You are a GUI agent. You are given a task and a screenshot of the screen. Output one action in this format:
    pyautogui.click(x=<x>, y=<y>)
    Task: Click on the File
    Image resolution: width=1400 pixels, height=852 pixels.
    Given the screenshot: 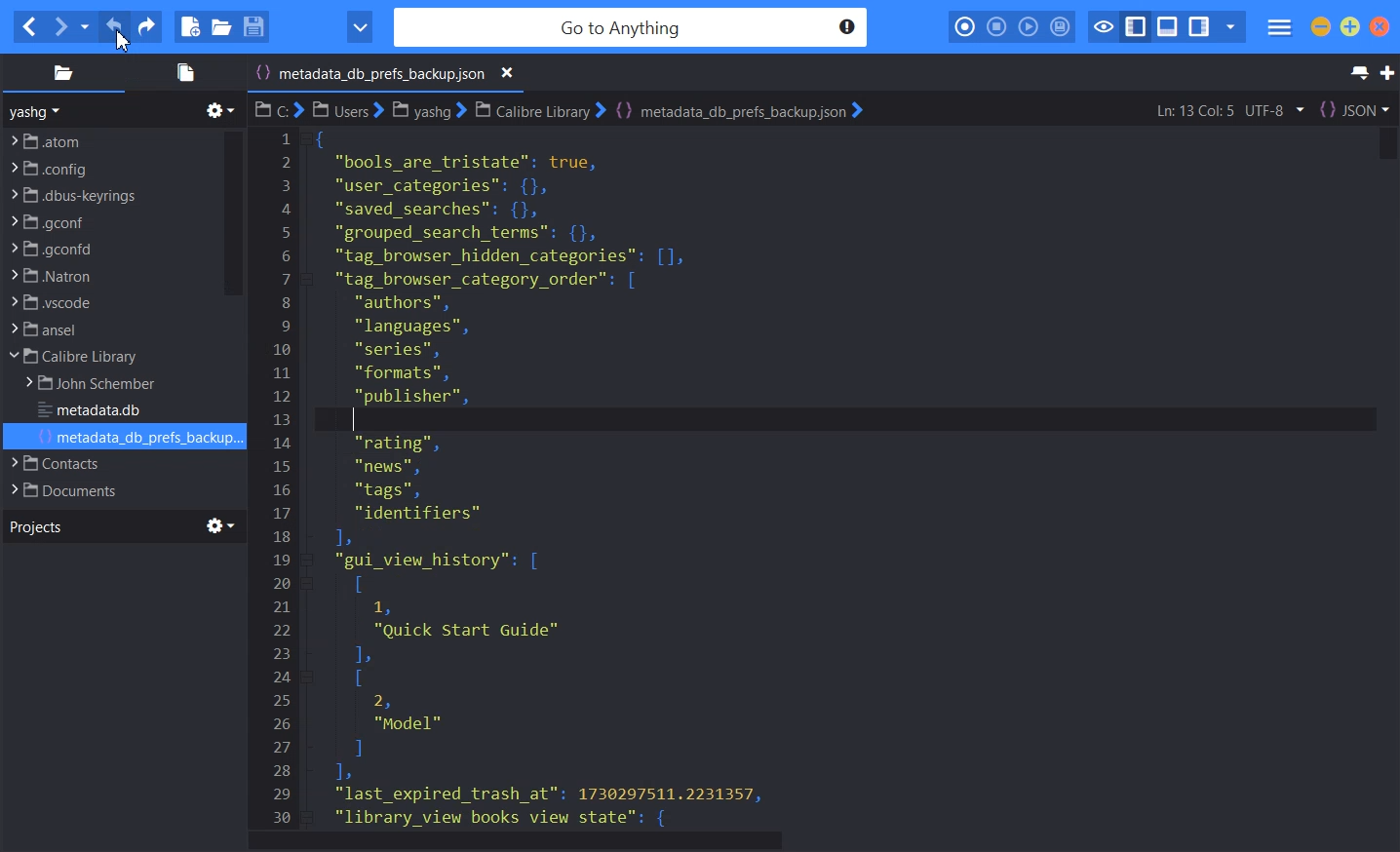 What is the action you would take?
    pyautogui.click(x=108, y=249)
    